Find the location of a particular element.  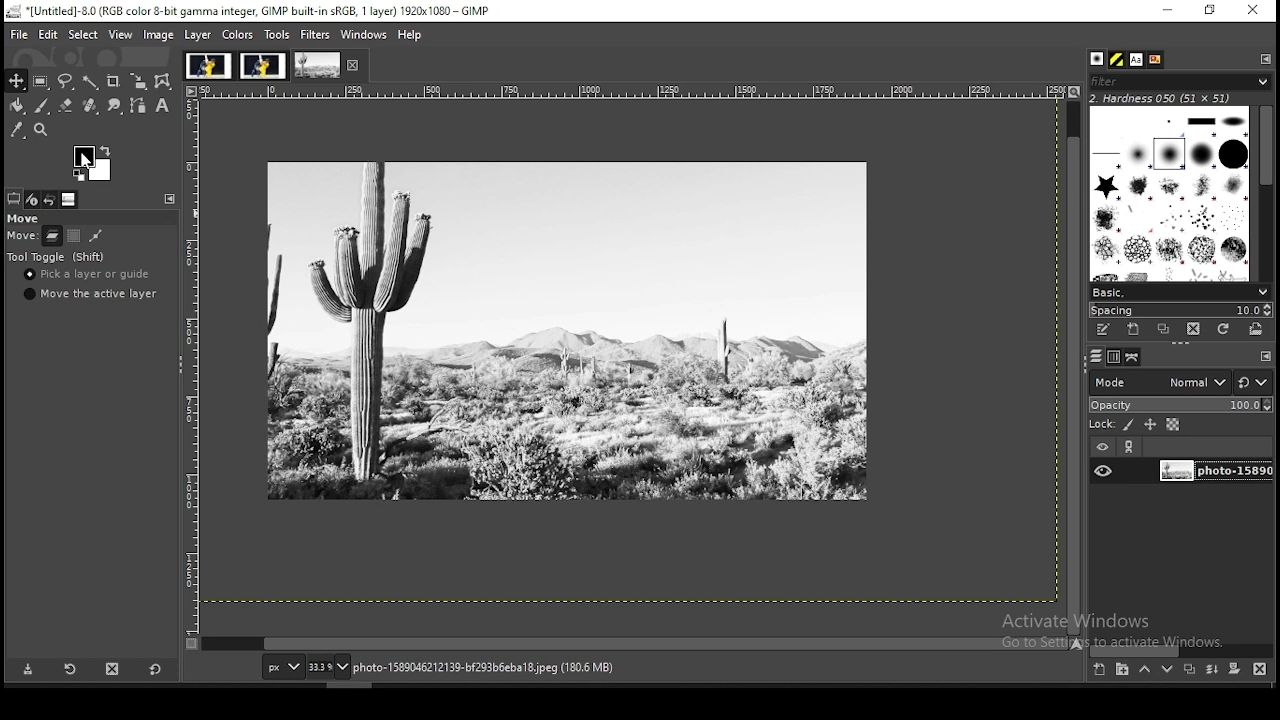

scroll bar is located at coordinates (1266, 191).